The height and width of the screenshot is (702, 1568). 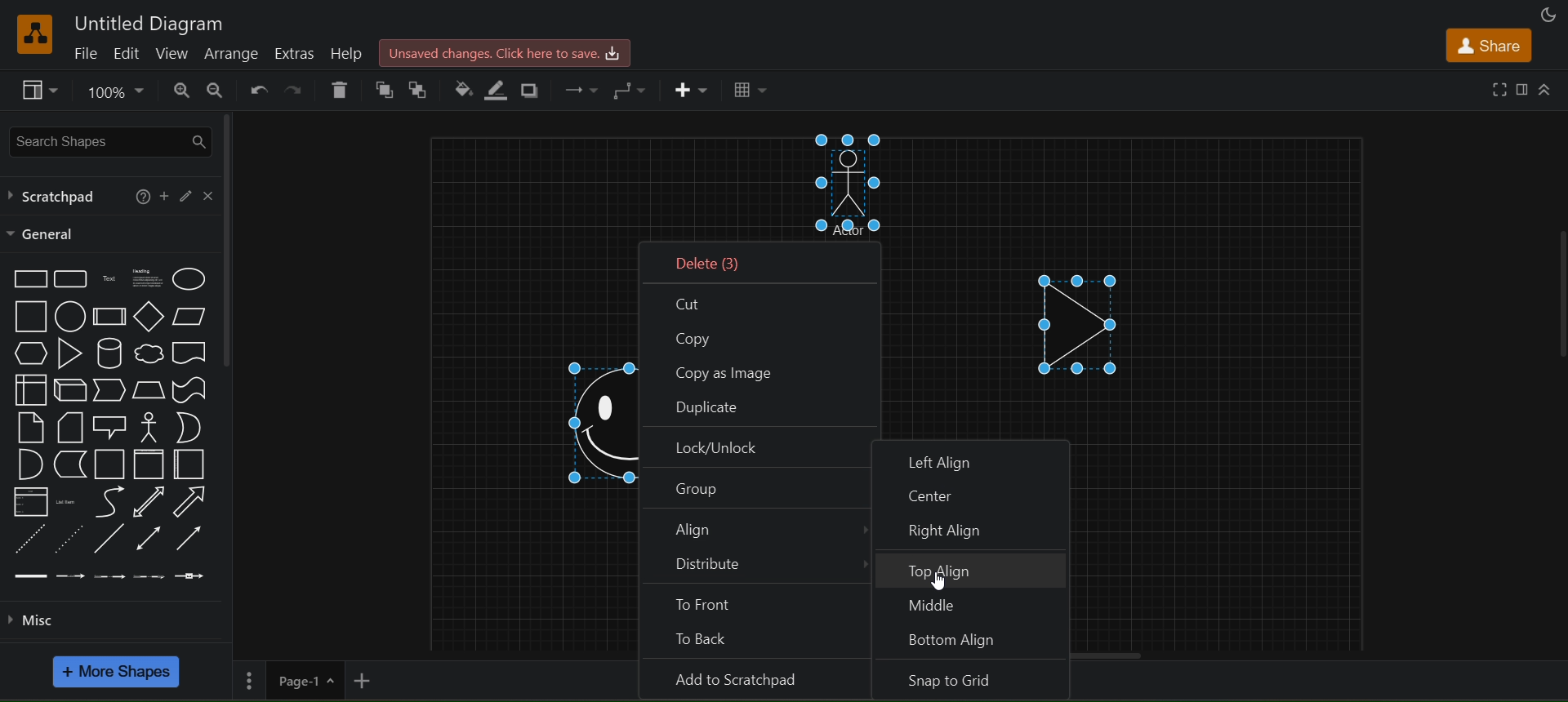 I want to click on bidirectional connector, so click(x=151, y=539).